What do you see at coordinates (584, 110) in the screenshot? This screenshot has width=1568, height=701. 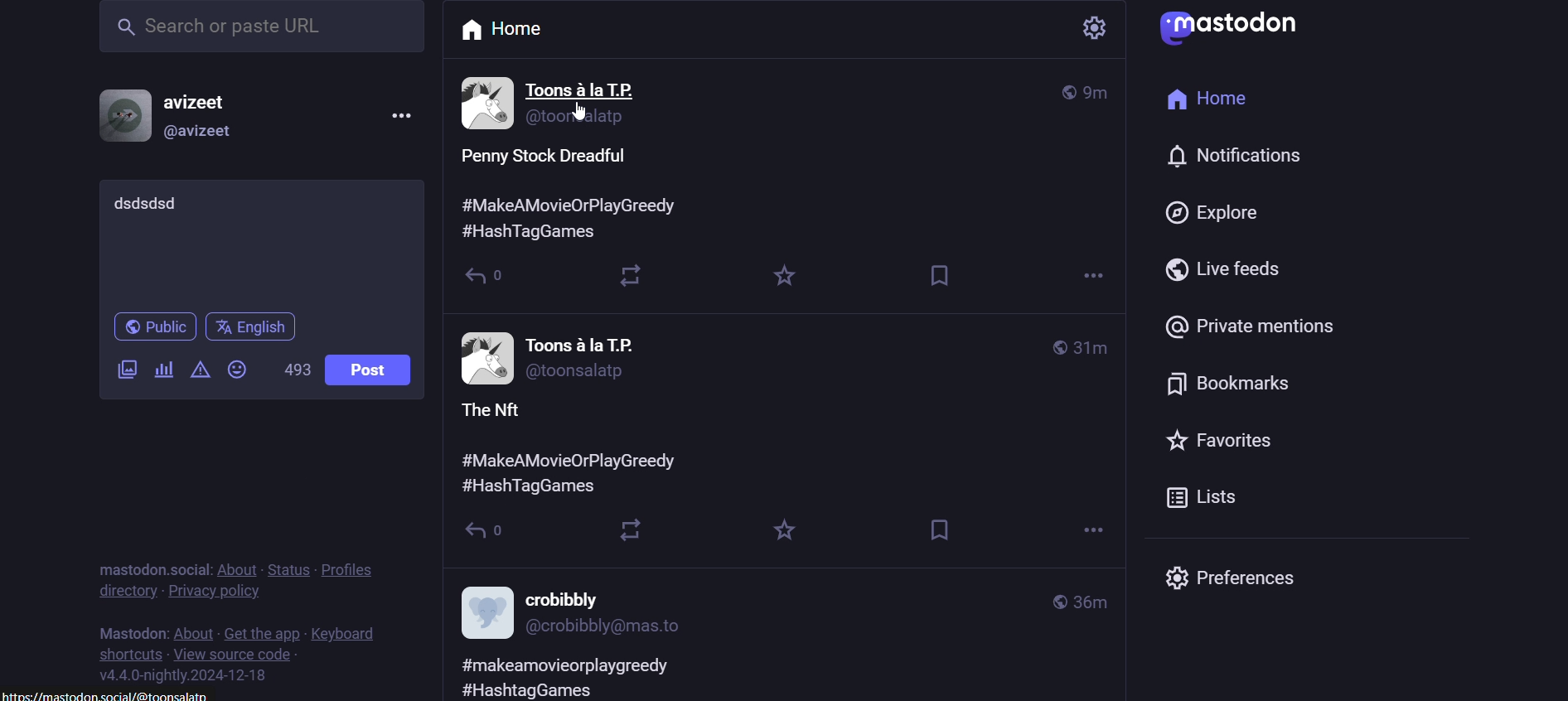 I see `cursor on key word ` at bounding box center [584, 110].